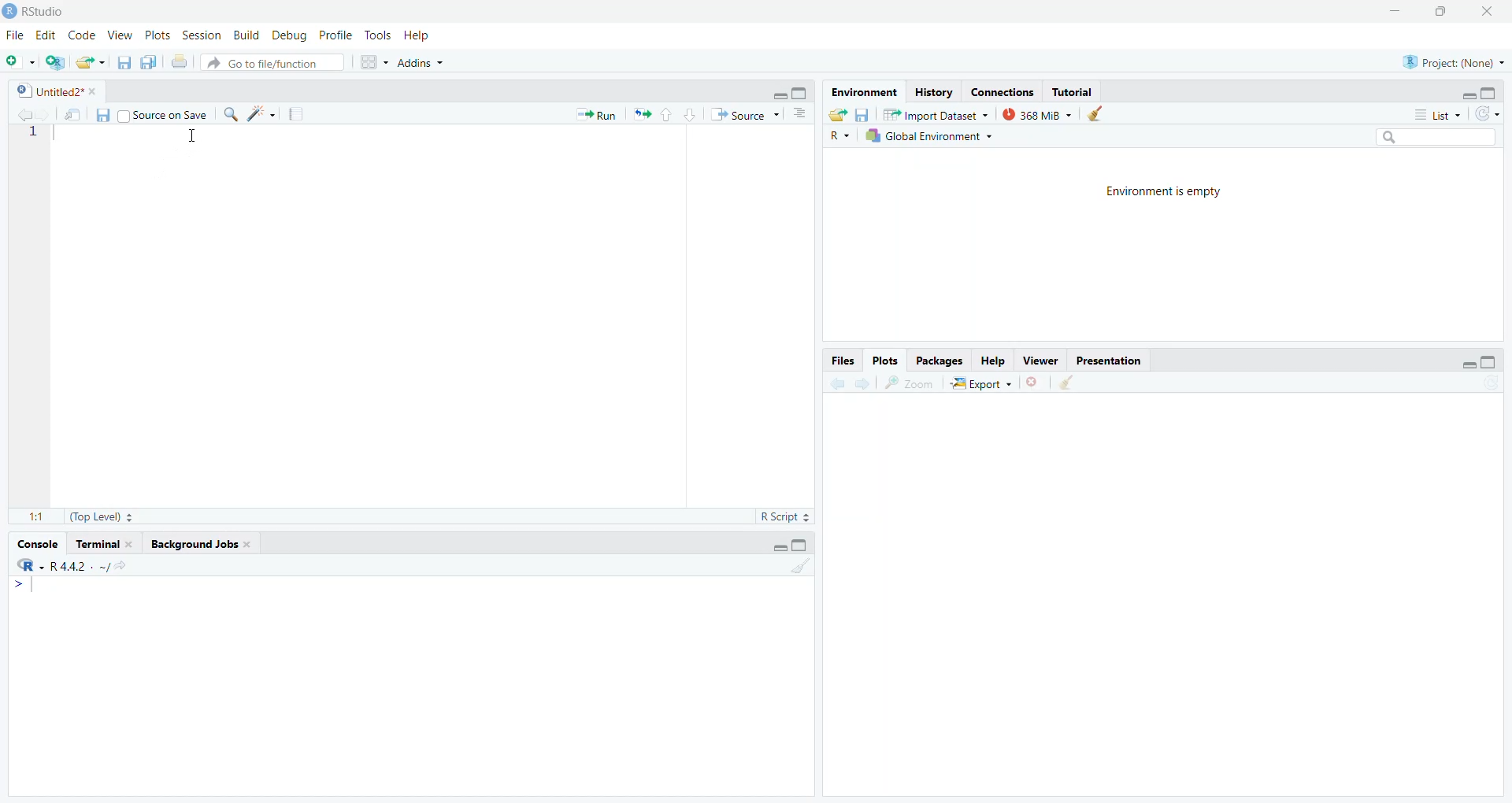 Image resolution: width=1512 pixels, height=803 pixels. Describe the element at coordinates (367, 64) in the screenshot. I see `grid` at that location.